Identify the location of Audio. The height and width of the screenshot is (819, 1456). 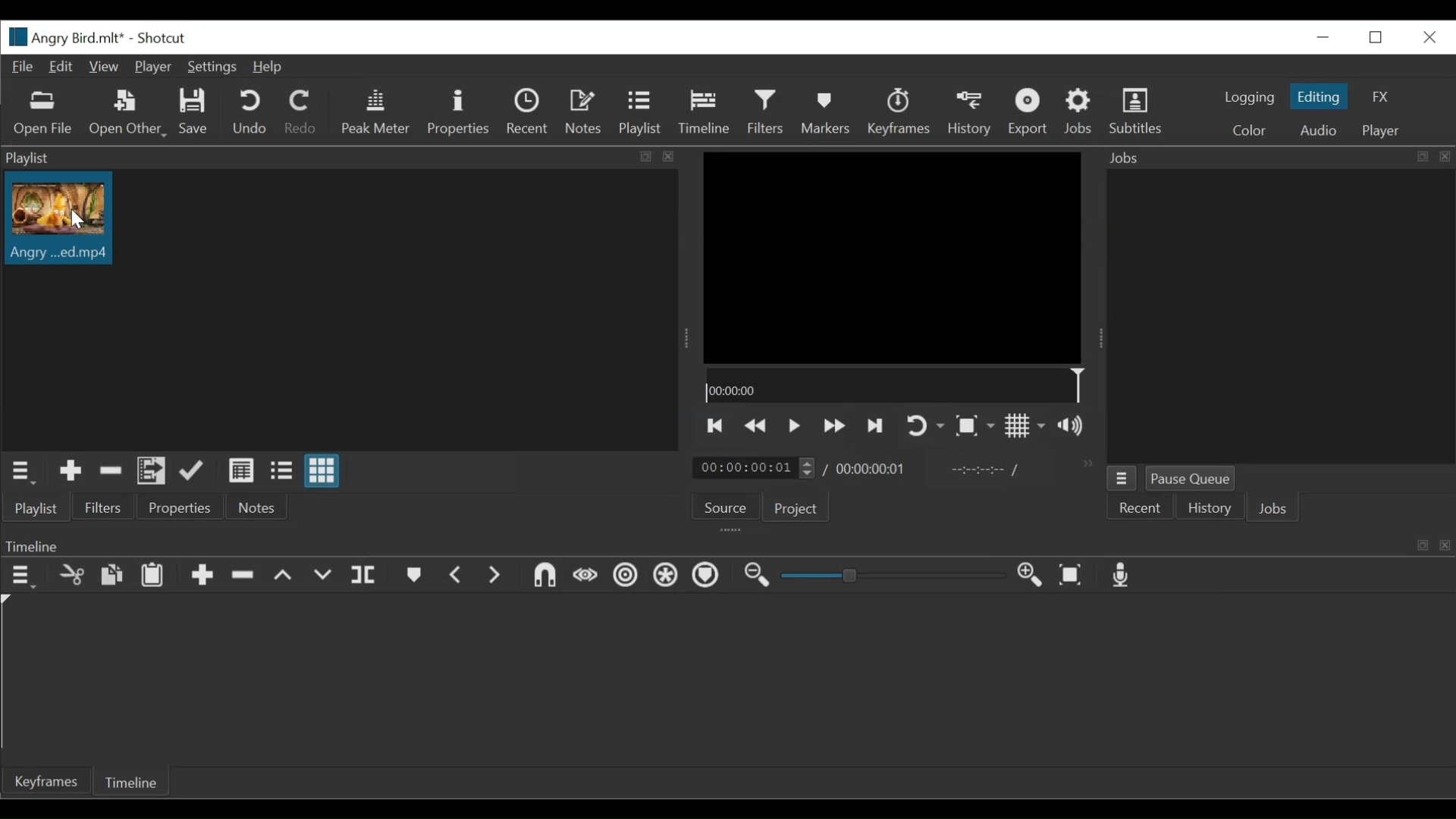
(1319, 130).